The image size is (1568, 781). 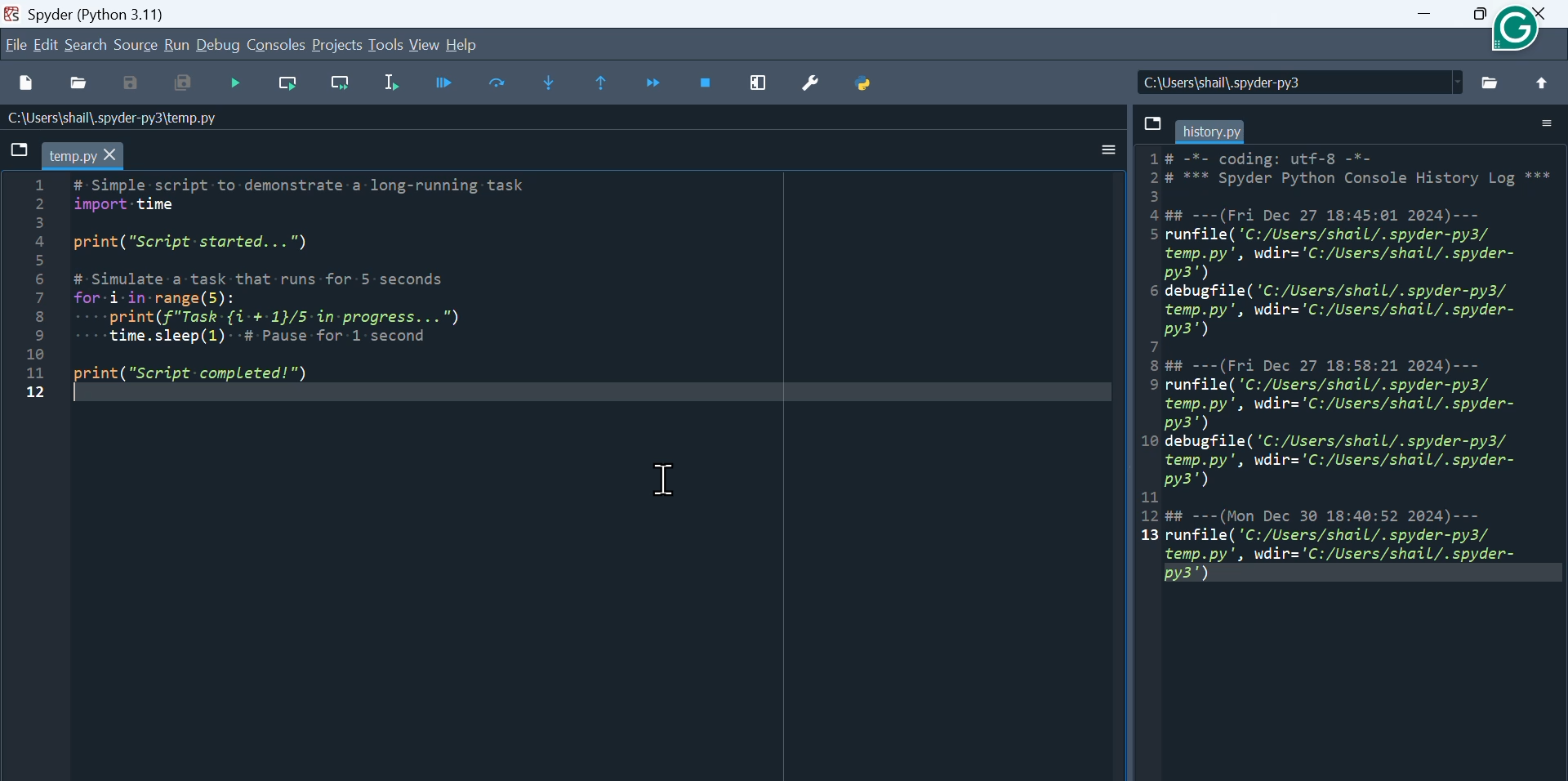 I want to click on upvote, so click(x=1541, y=83).